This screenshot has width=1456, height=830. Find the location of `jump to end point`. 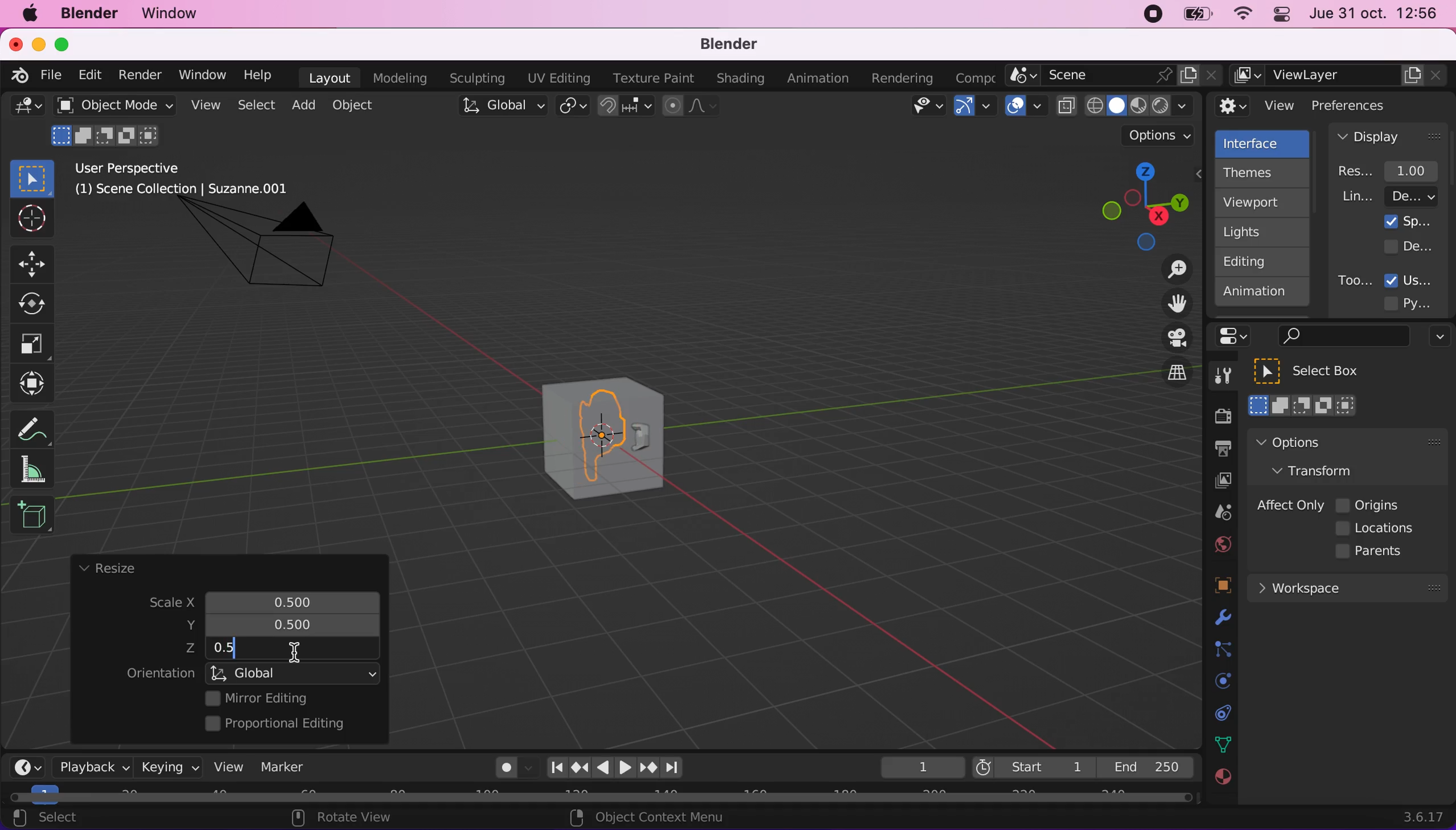

jump to end point is located at coordinates (553, 768).